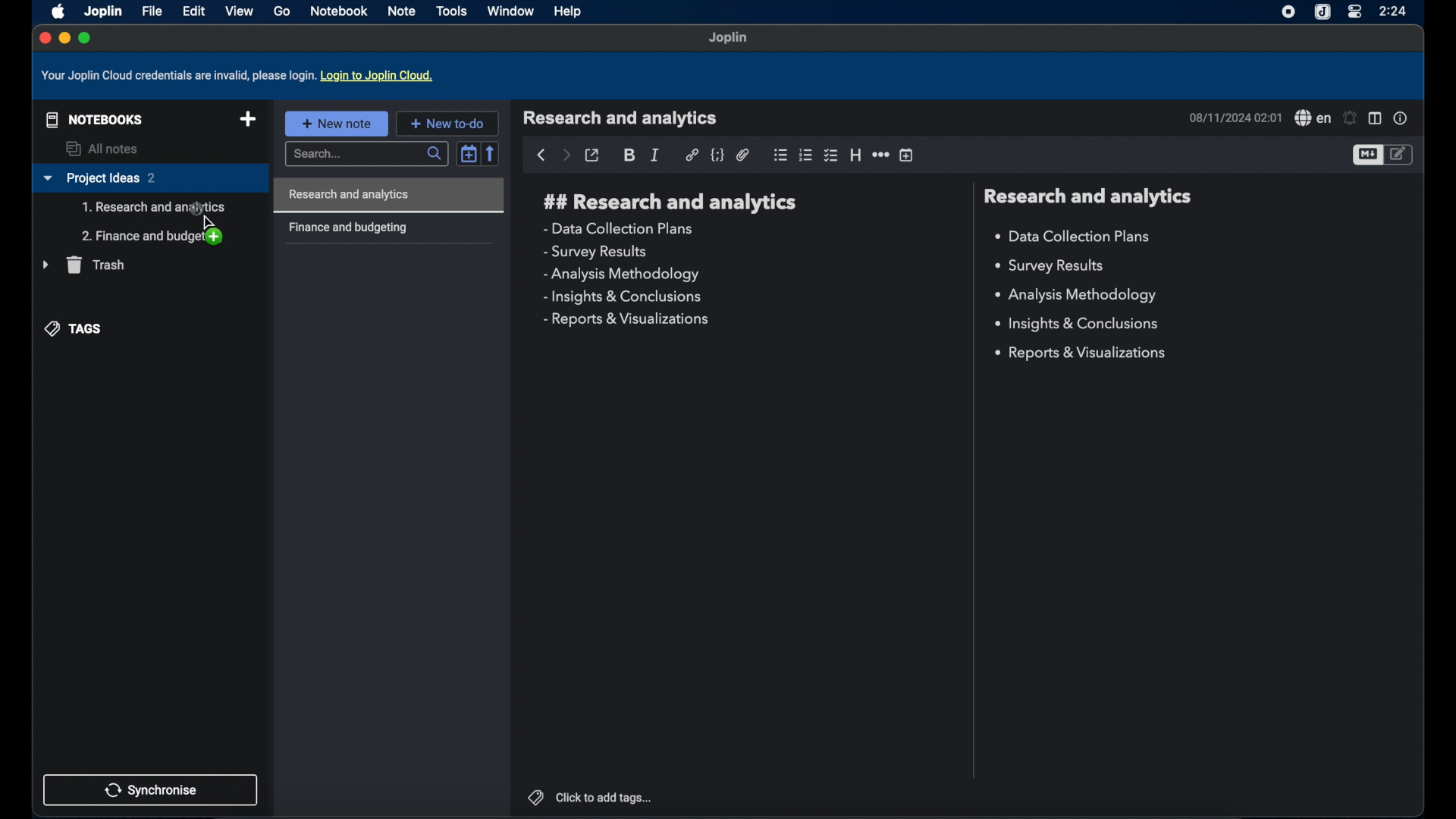 The image size is (1456, 819). I want to click on back, so click(541, 155).